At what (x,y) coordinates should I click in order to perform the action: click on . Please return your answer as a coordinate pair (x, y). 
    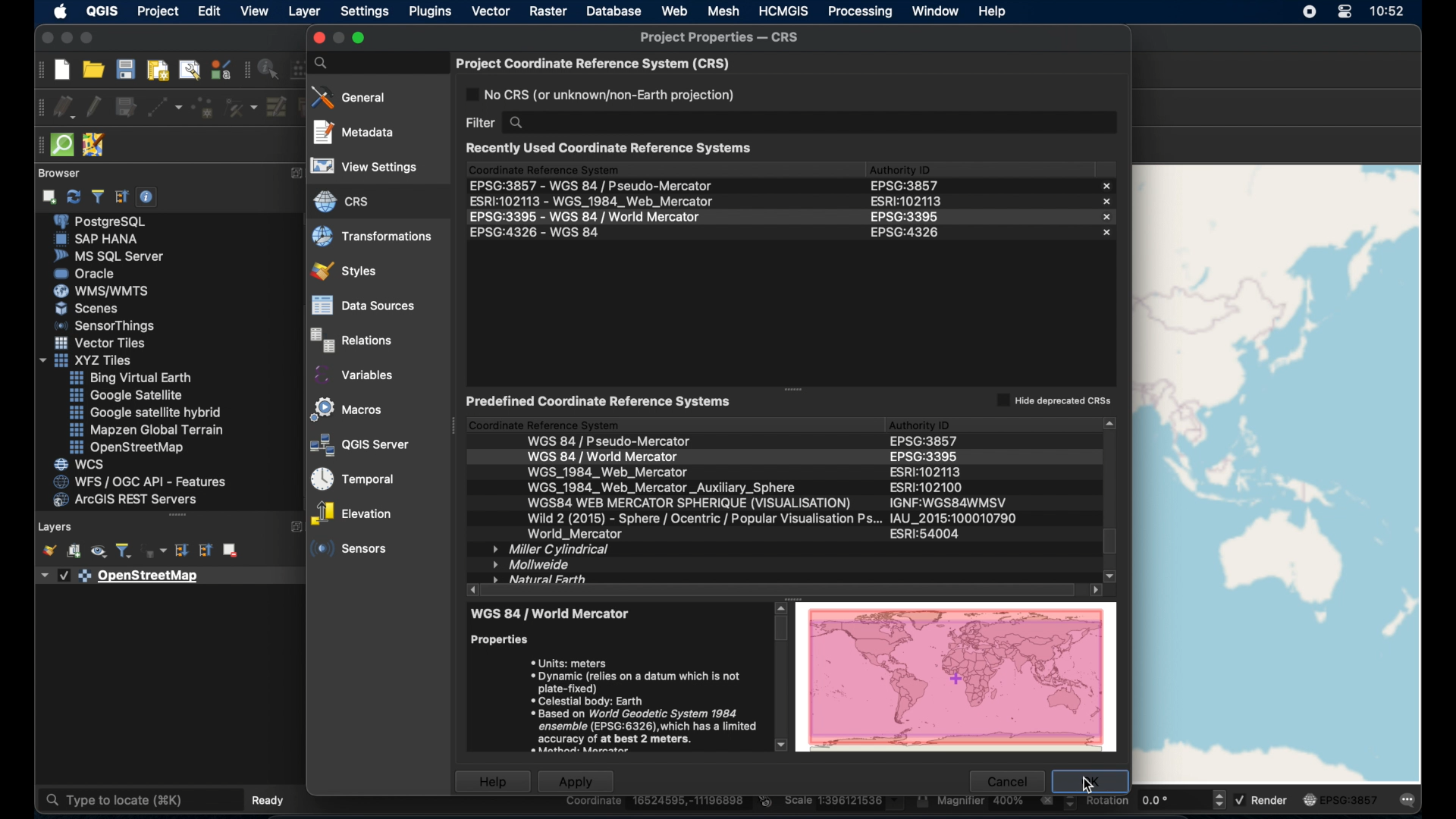
    Looking at the image, I should click on (130, 378).